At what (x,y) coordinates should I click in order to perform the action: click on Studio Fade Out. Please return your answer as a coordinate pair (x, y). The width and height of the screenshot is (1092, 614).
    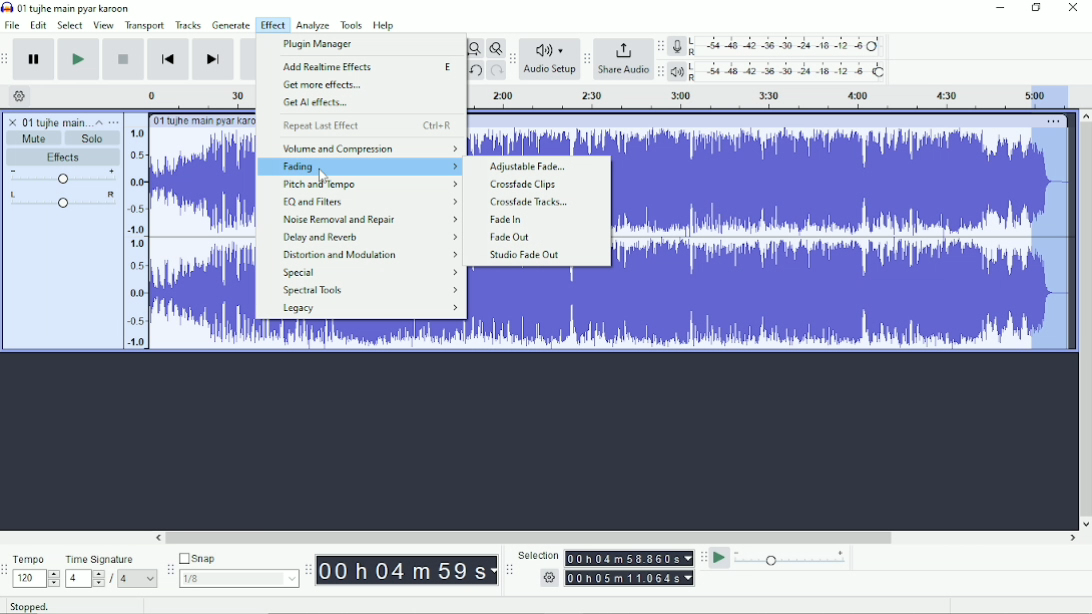
    Looking at the image, I should click on (526, 255).